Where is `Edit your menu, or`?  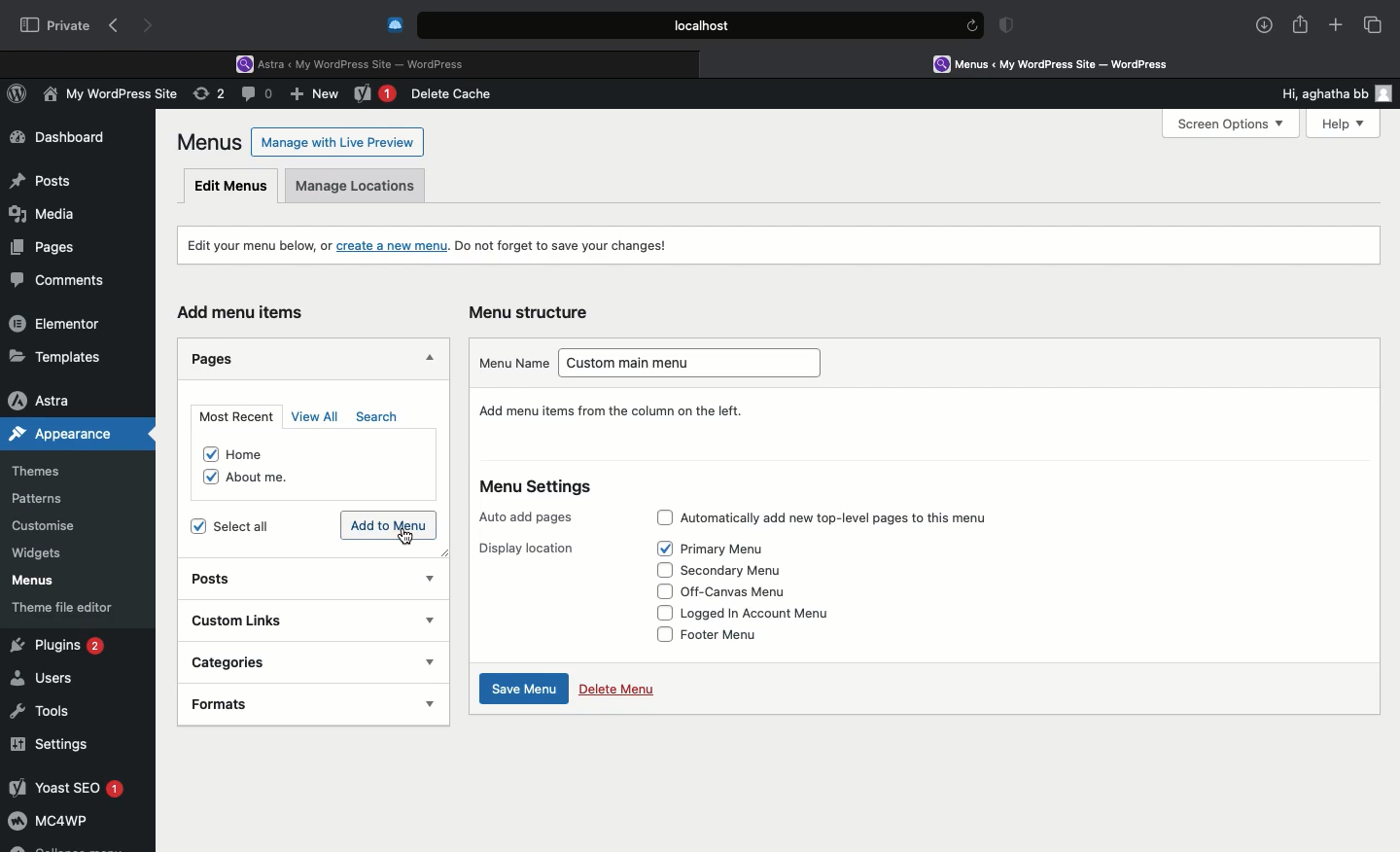
Edit your menu, or is located at coordinates (257, 245).